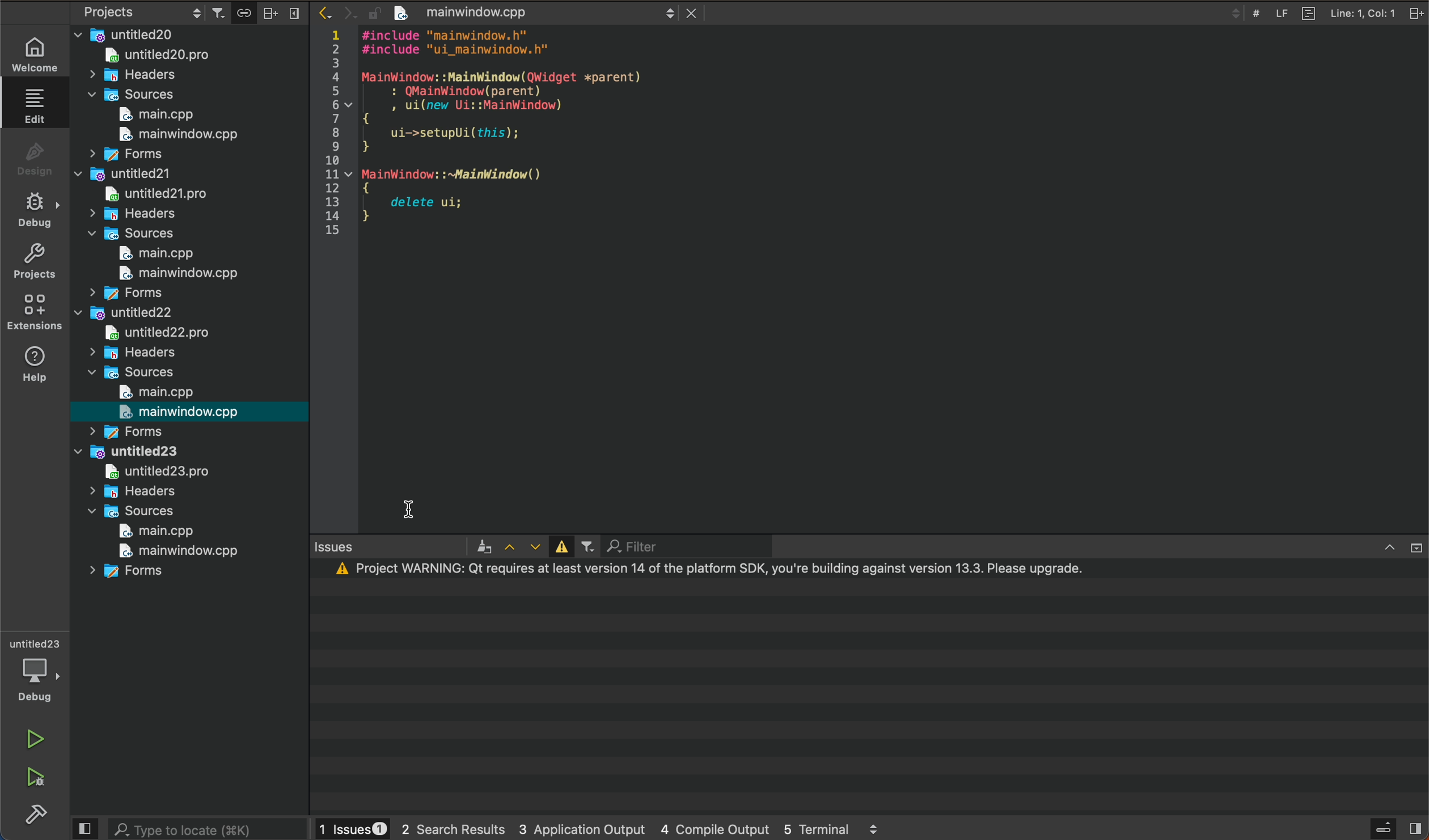 This screenshot has width=1429, height=840. I want to click on forms, so click(121, 294).